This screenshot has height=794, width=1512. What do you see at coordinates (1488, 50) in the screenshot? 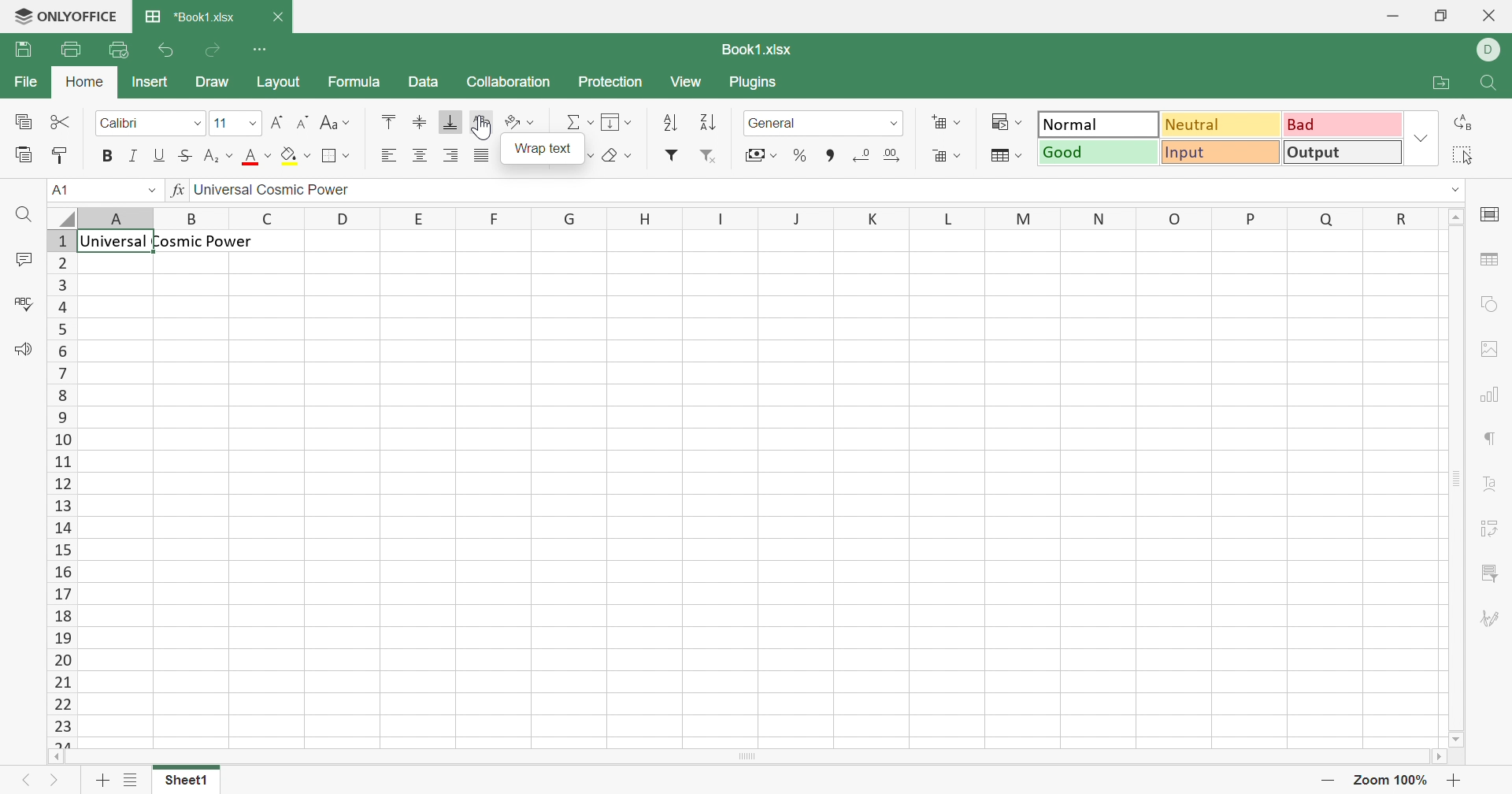
I see `DELL` at bounding box center [1488, 50].